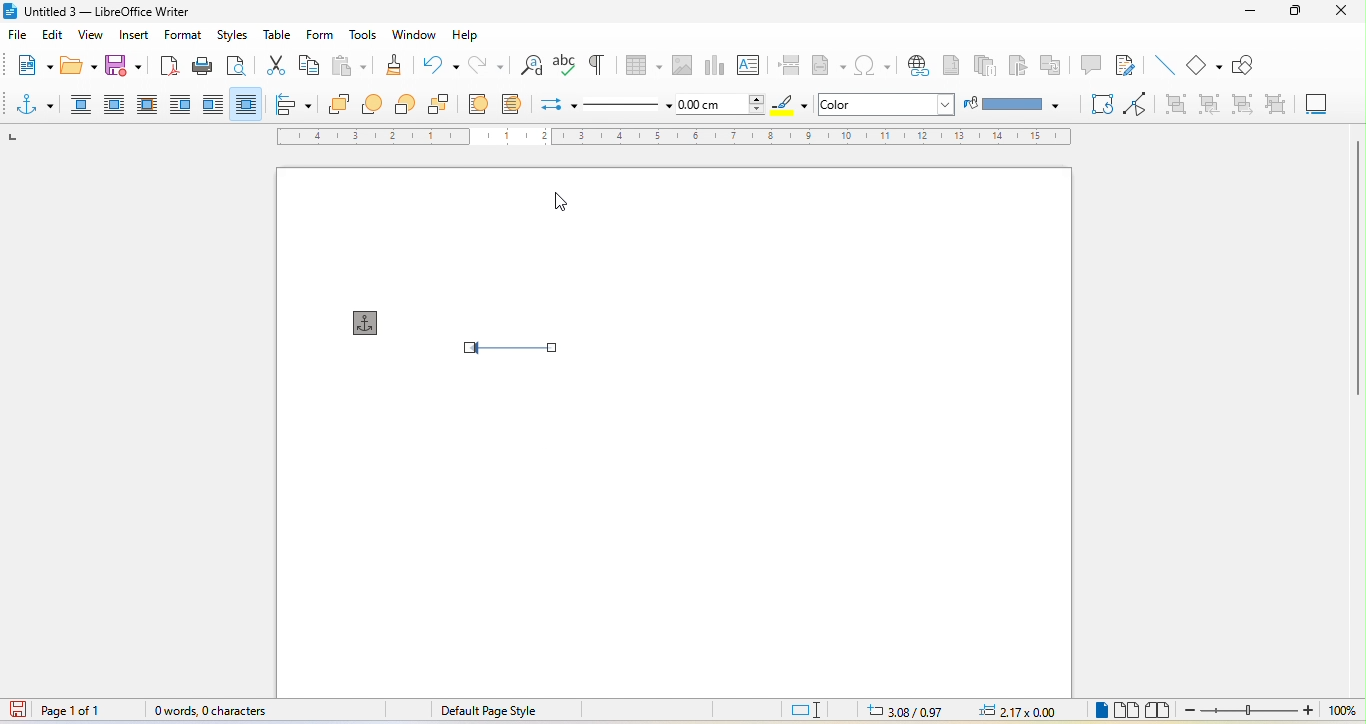  Describe the element at coordinates (594, 65) in the screenshot. I see `toggle formatting marks` at that location.